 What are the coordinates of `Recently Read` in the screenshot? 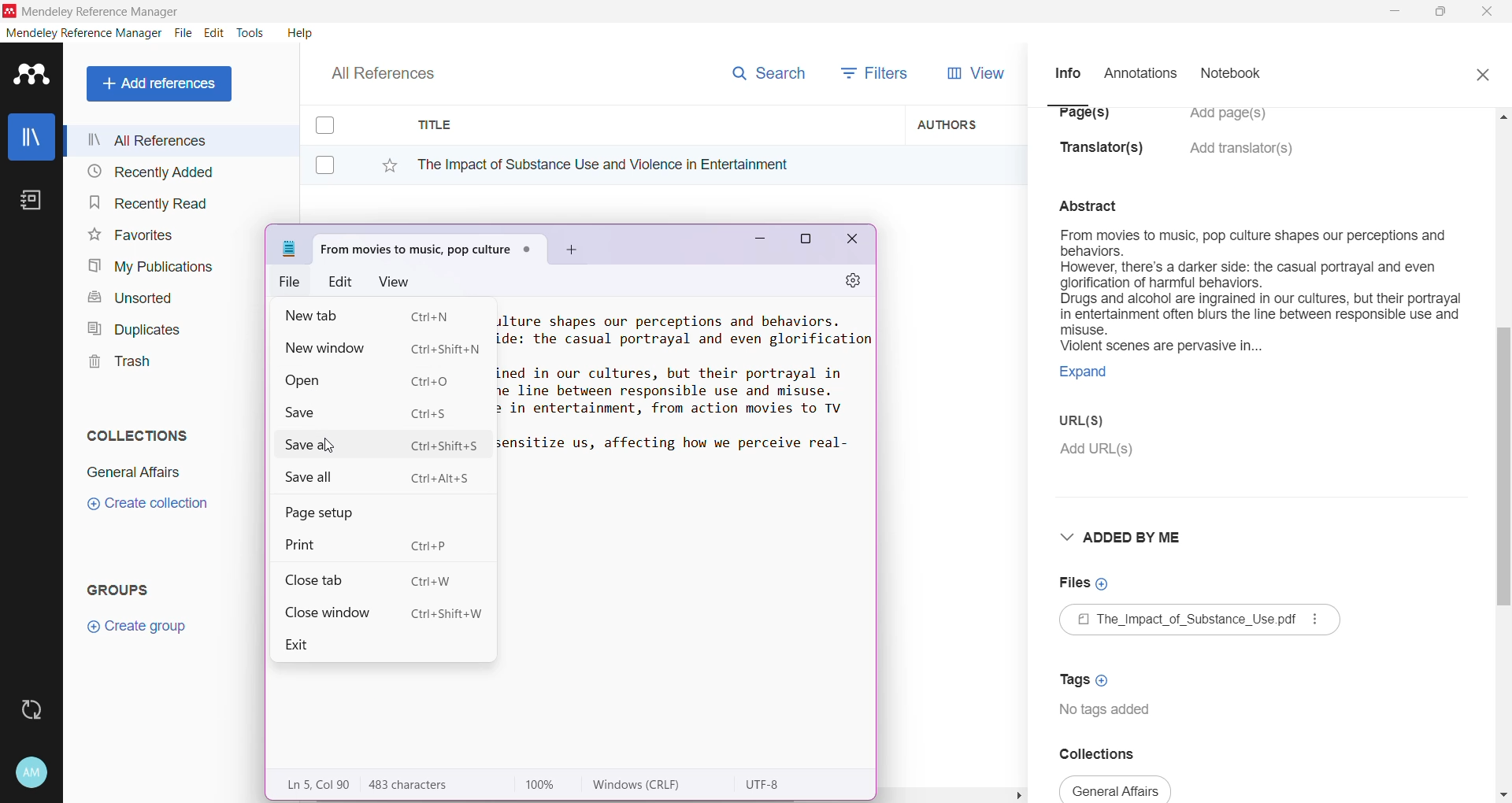 It's located at (148, 202).